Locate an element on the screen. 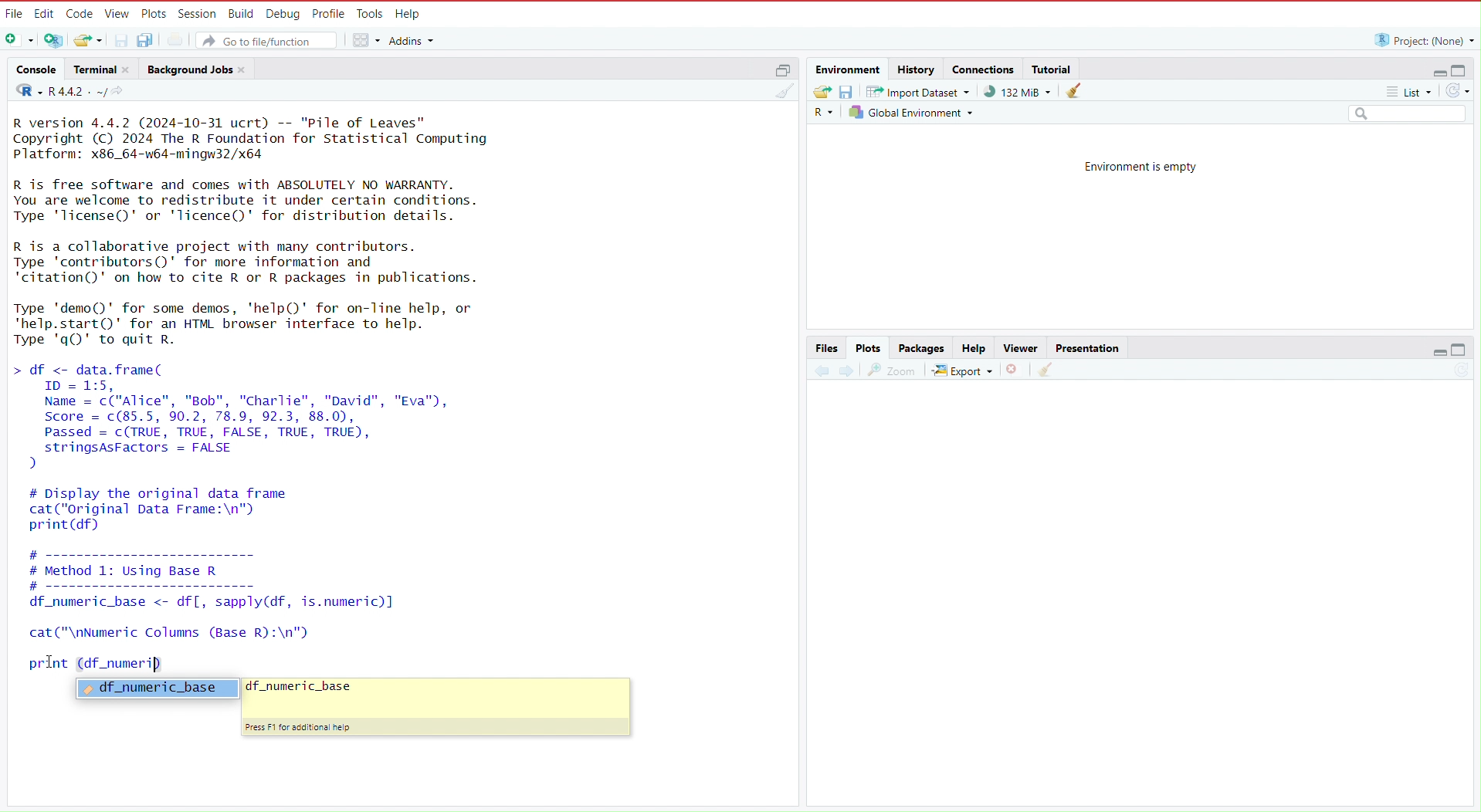 Image resolution: width=1481 pixels, height=812 pixels. Build is located at coordinates (240, 12).